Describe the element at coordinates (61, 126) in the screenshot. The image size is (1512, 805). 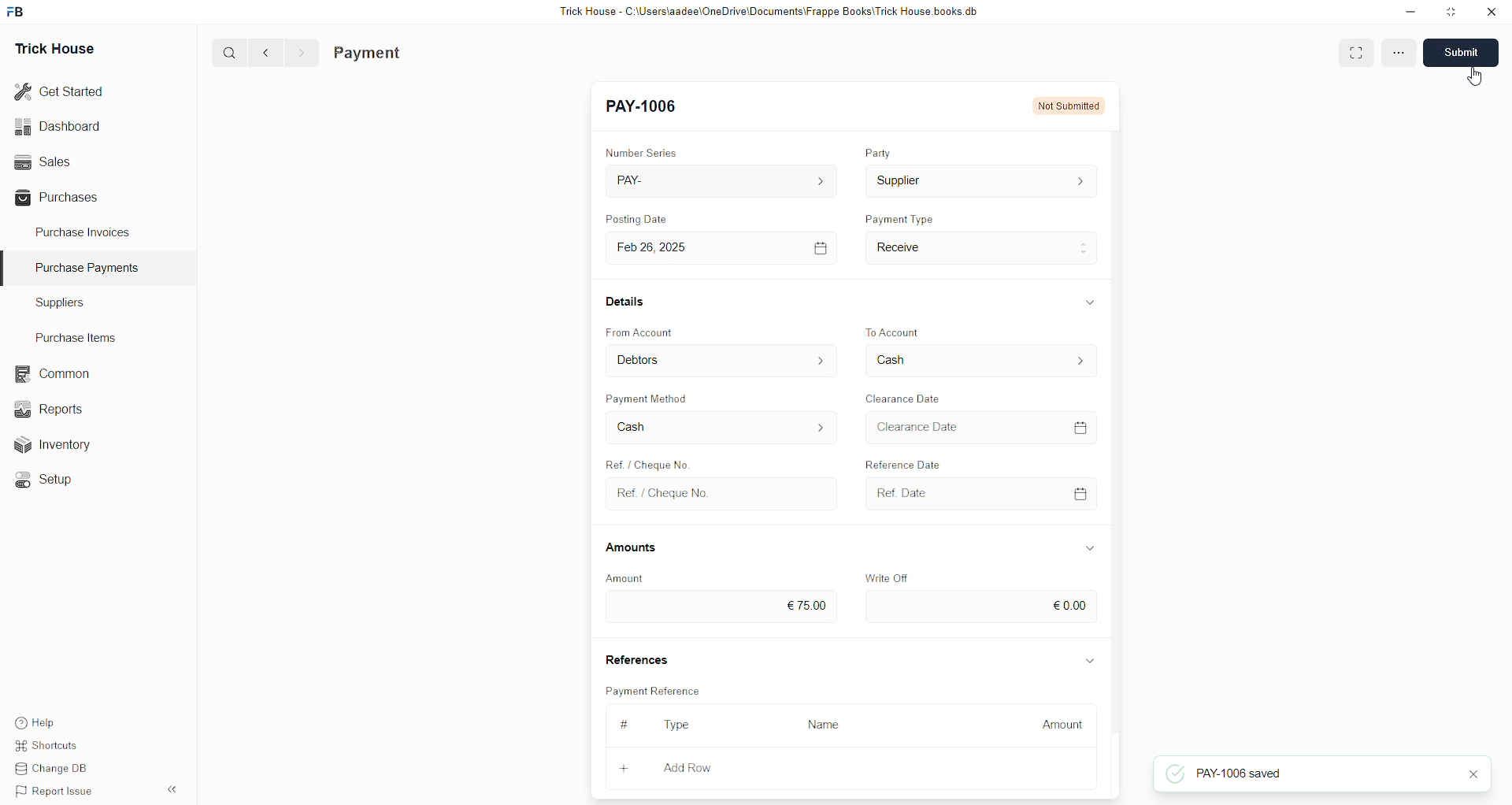
I see `Dashboard` at that location.